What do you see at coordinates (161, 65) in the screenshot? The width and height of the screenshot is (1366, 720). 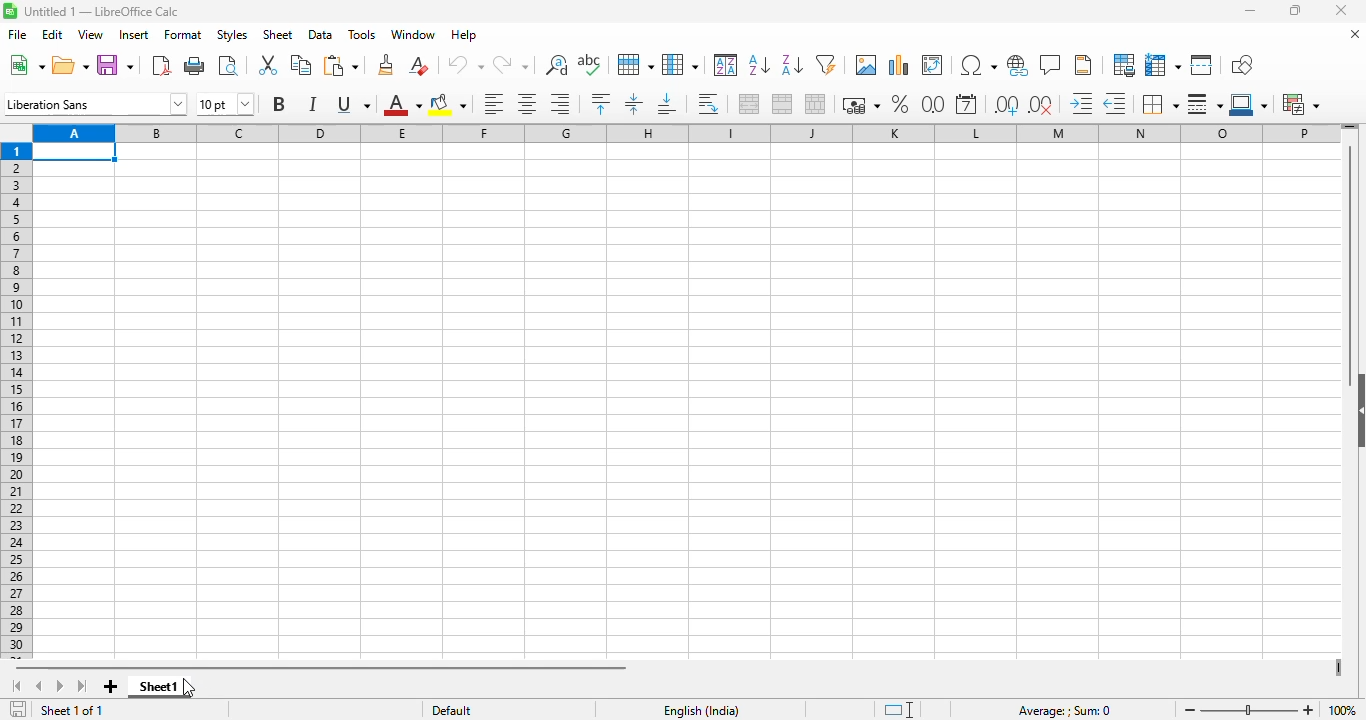 I see `export directly as PDF` at bounding box center [161, 65].